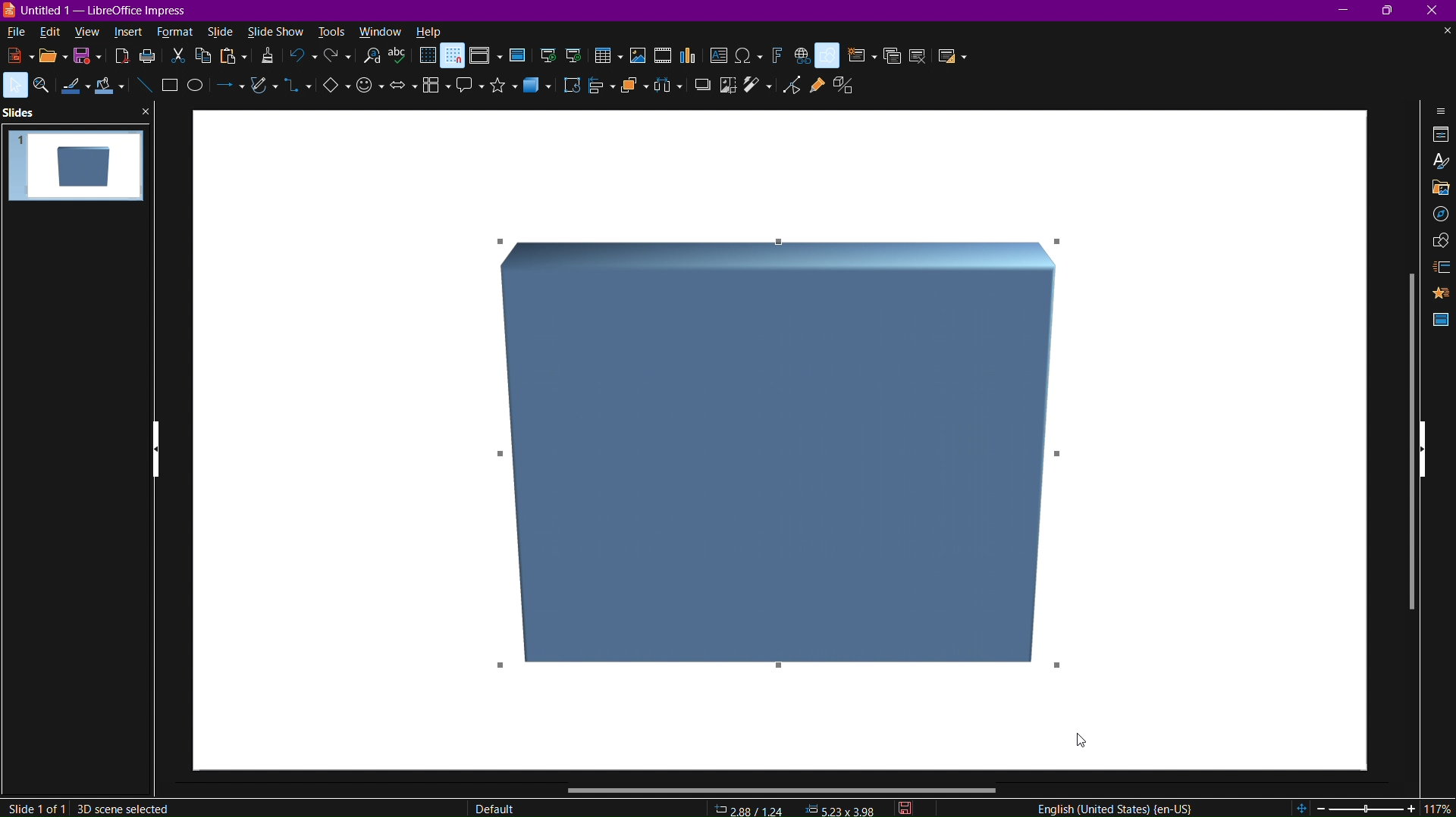 The height and width of the screenshot is (817, 1456). What do you see at coordinates (1435, 189) in the screenshot?
I see `Gallery` at bounding box center [1435, 189].